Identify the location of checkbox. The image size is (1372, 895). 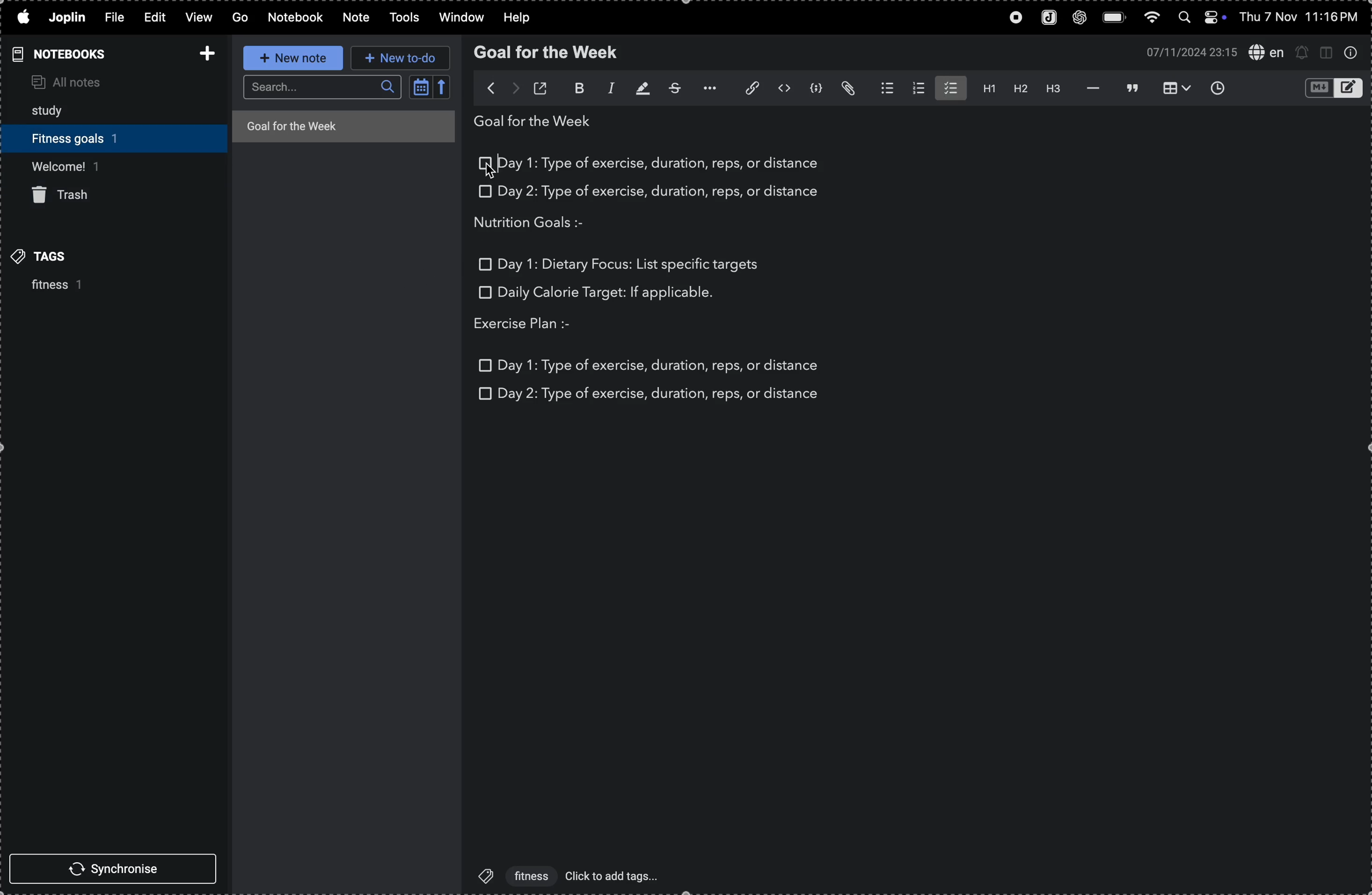
(485, 265).